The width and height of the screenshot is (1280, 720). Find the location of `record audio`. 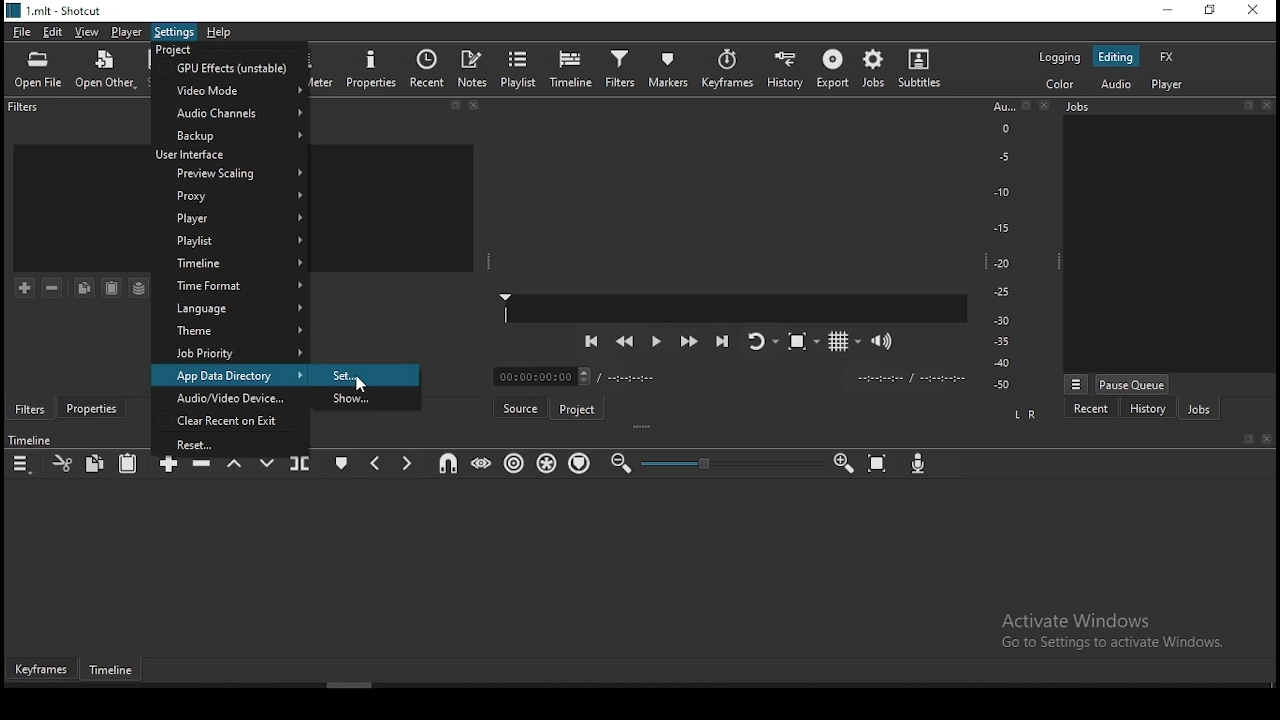

record audio is located at coordinates (919, 465).